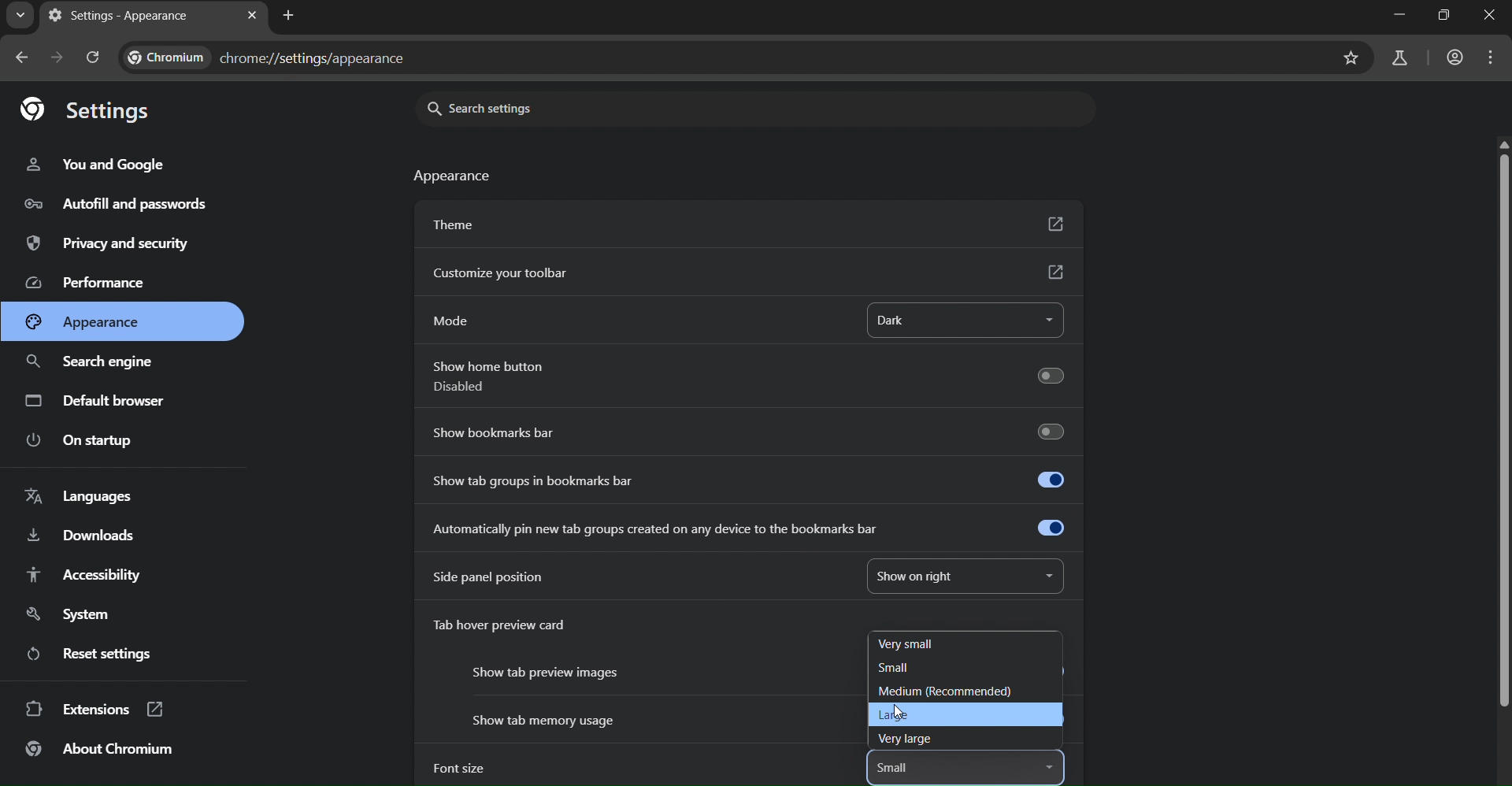  Describe the element at coordinates (901, 769) in the screenshot. I see `small` at that location.